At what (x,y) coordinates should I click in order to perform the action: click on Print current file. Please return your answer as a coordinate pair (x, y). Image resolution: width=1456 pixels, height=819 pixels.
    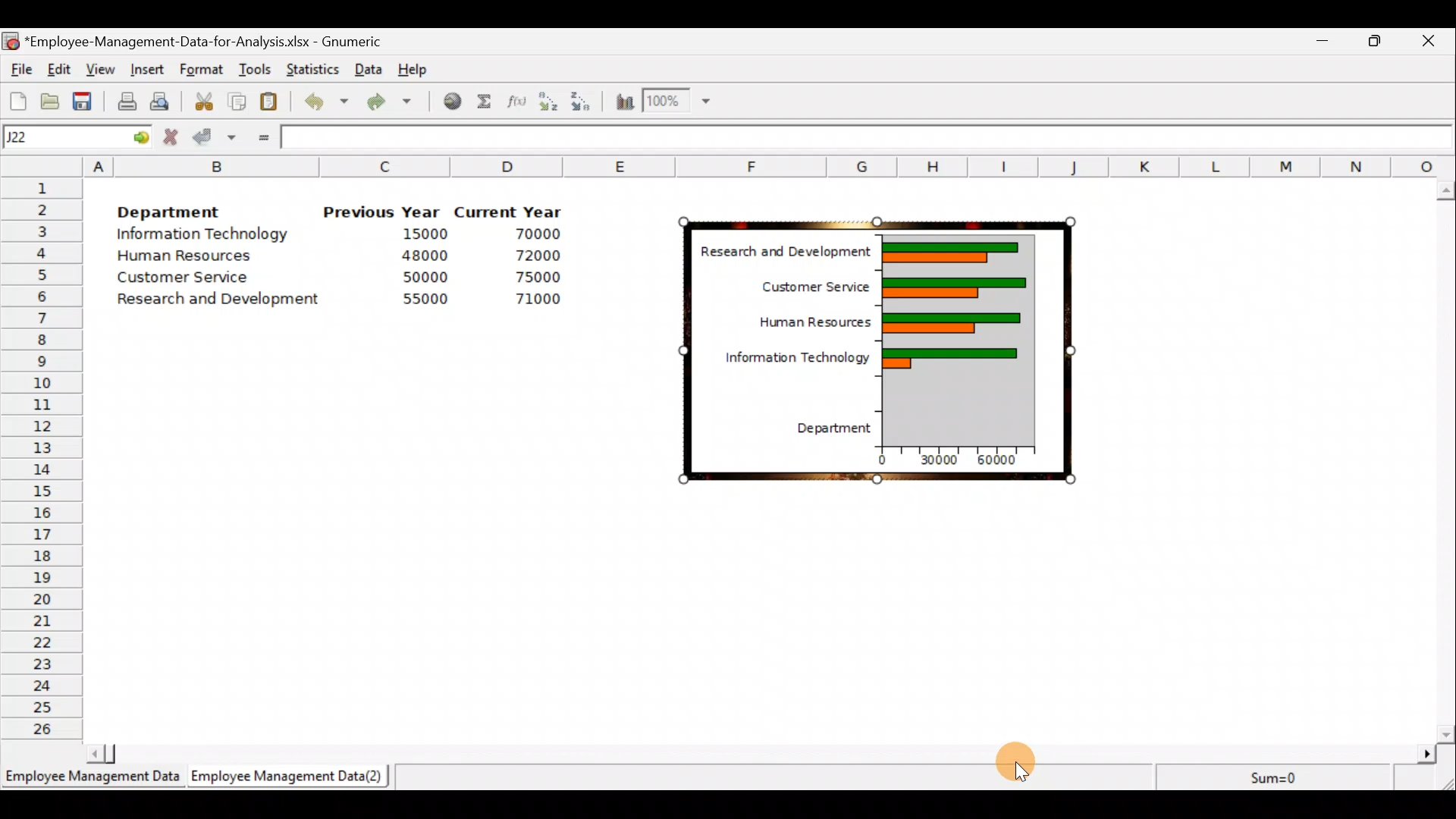
    Looking at the image, I should click on (124, 99).